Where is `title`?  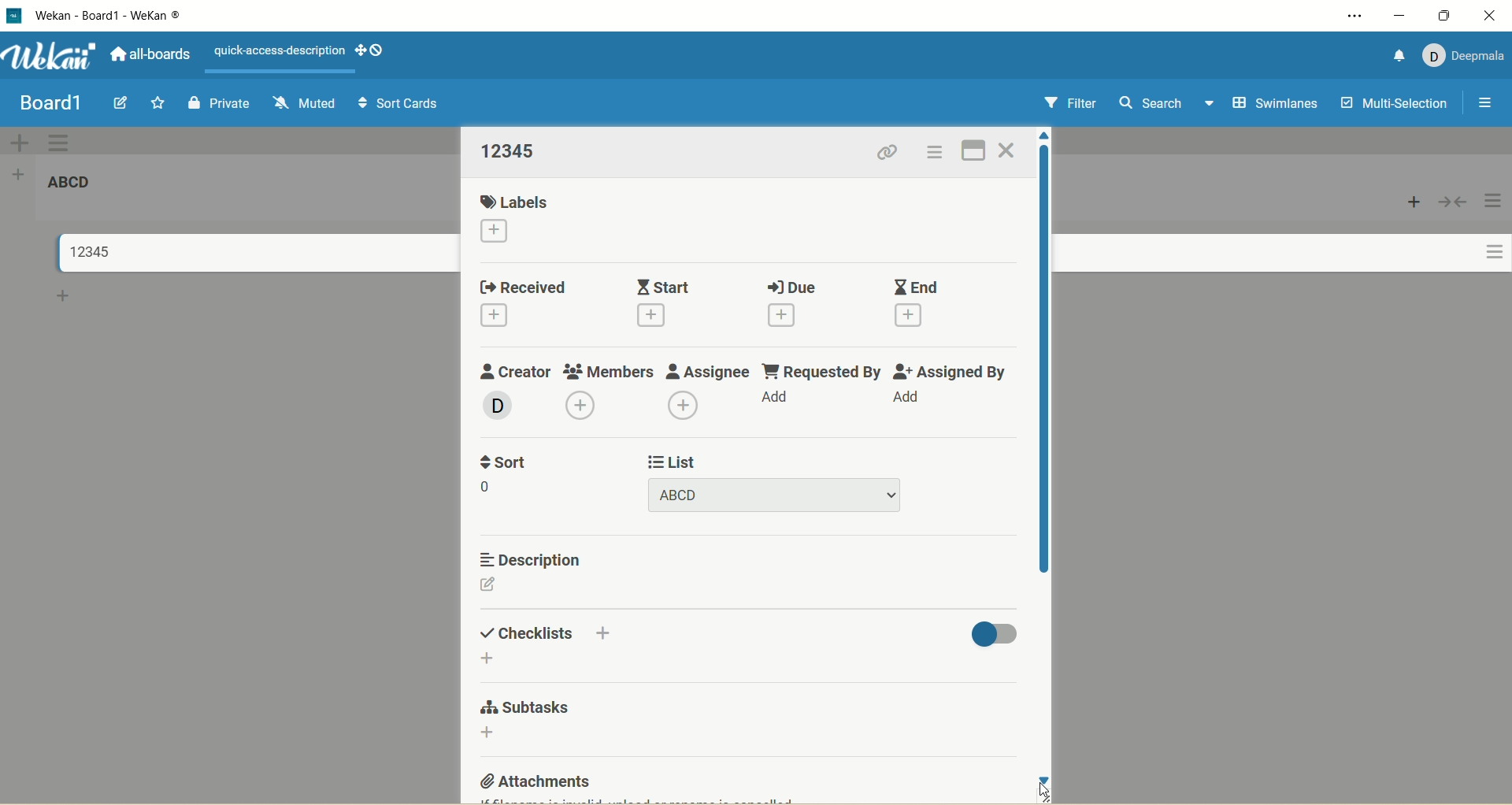 title is located at coordinates (511, 150).